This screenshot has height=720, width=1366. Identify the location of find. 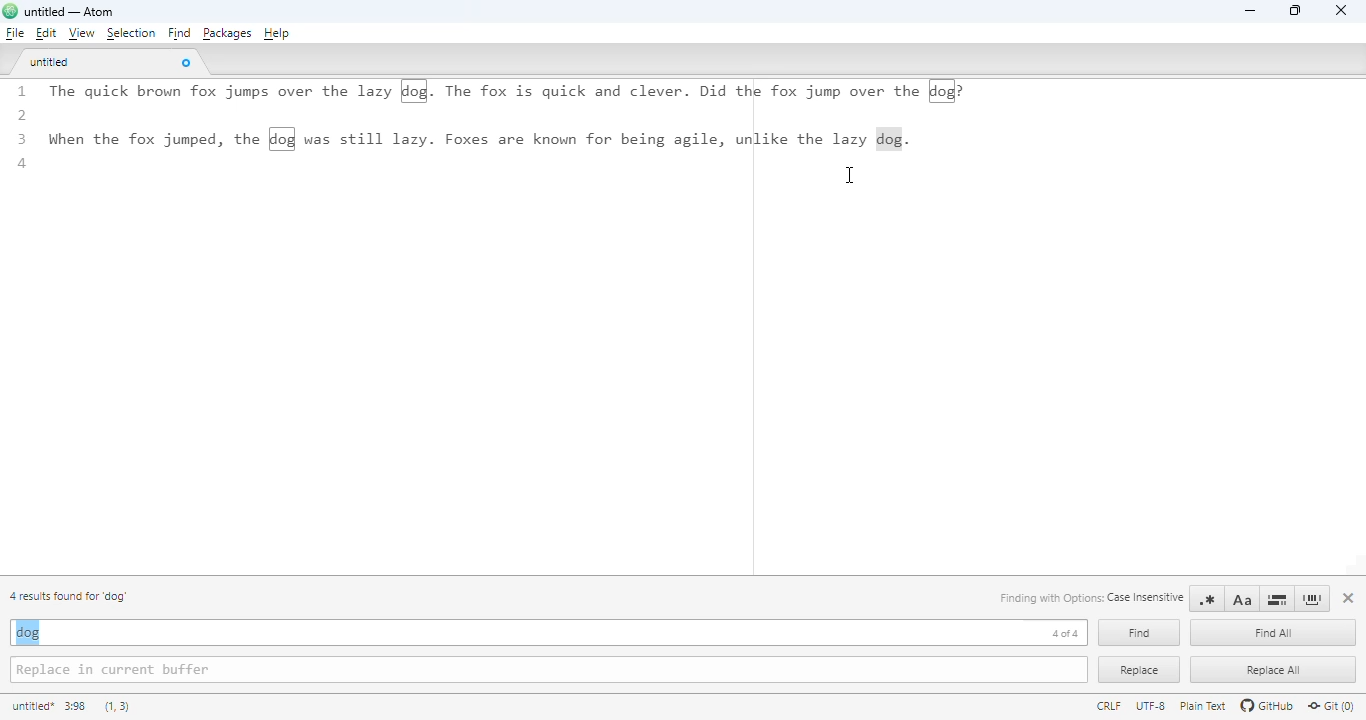
(178, 33).